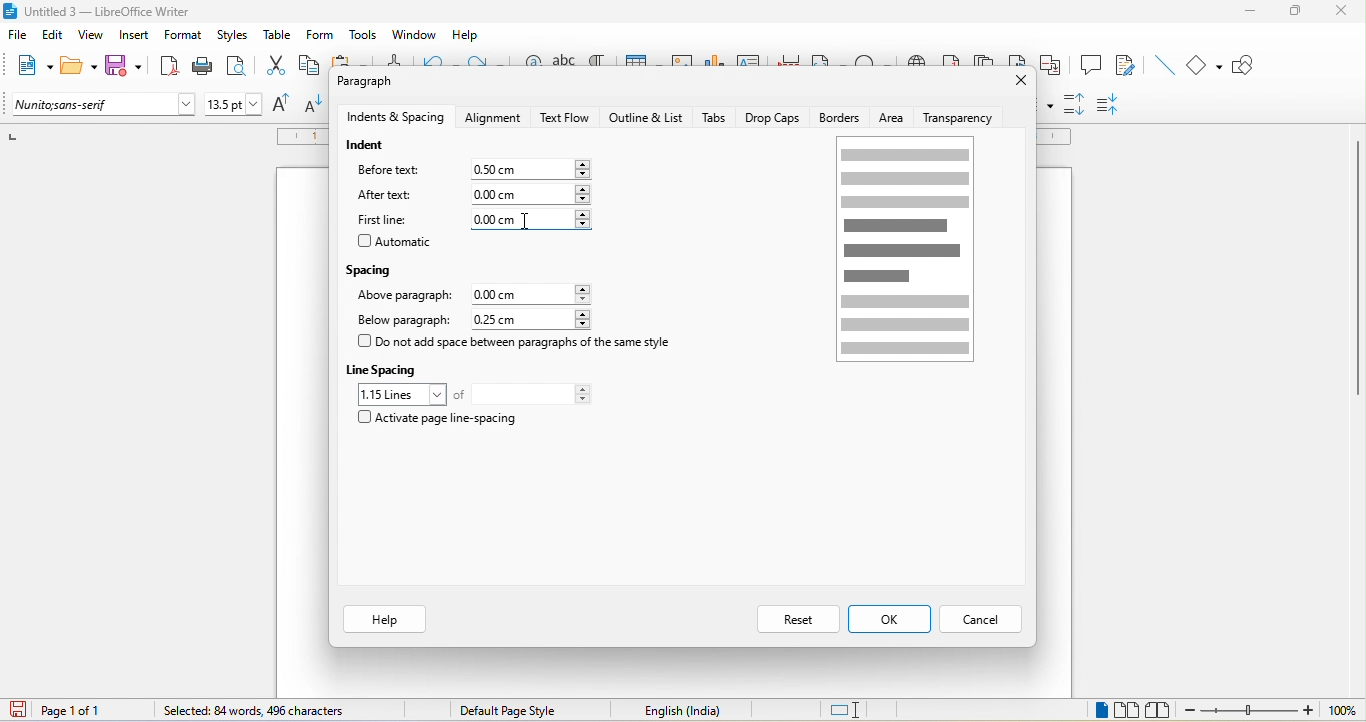 The width and height of the screenshot is (1366, 722). I want to click on tabs, so click(715, 116).